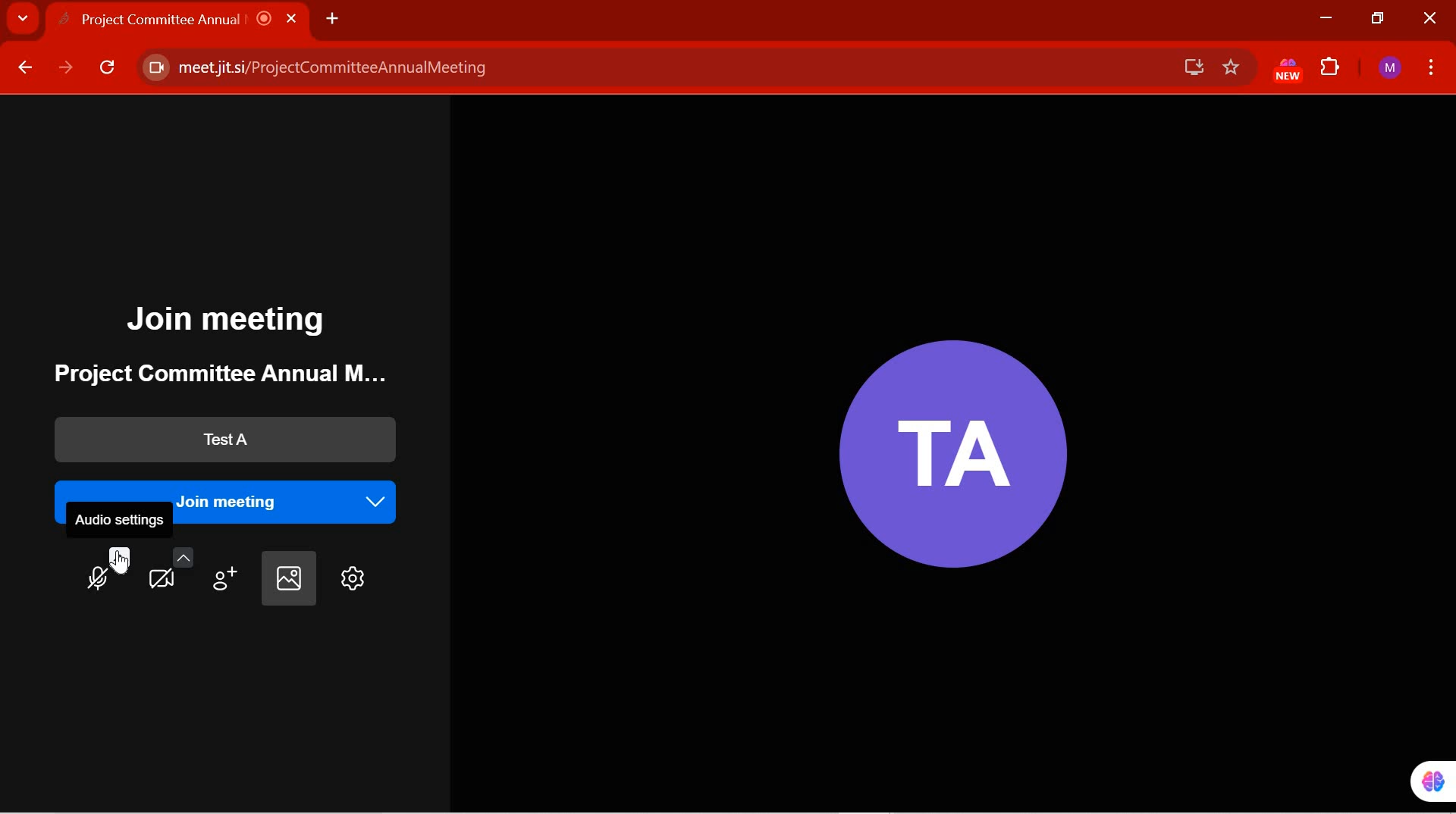 Image resolution: width=1456 pixels, height=814 pixels. Describe the element at coordinates (191, 19) in the screenshot. I see `Project Committee Annual |` at that location.